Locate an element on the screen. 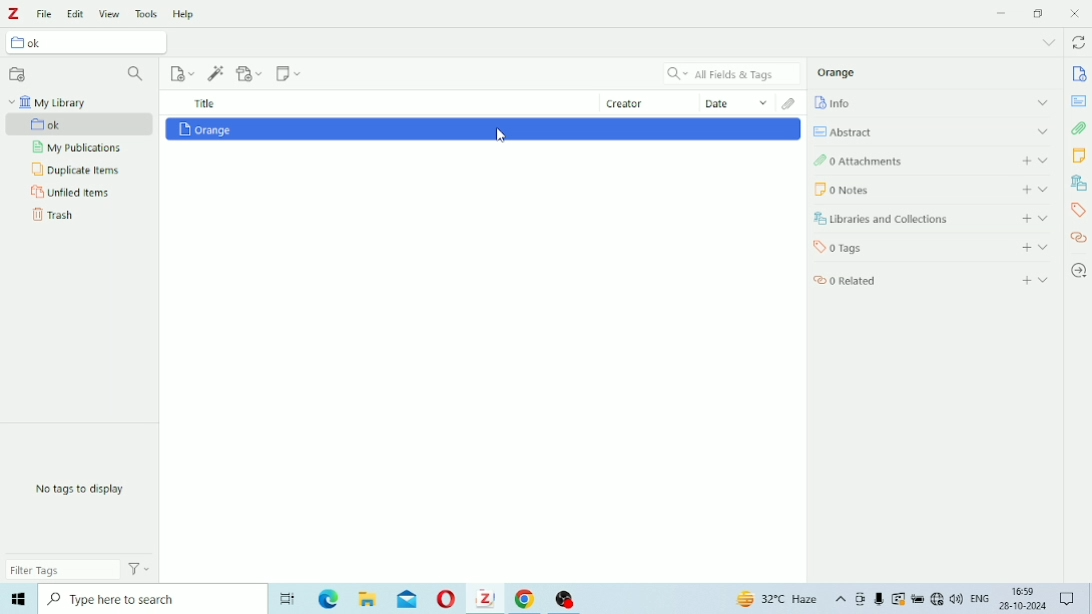 Image resolution: width=1092 pixels, height=614 pixels. Trash is located at coordinates (53, 215).